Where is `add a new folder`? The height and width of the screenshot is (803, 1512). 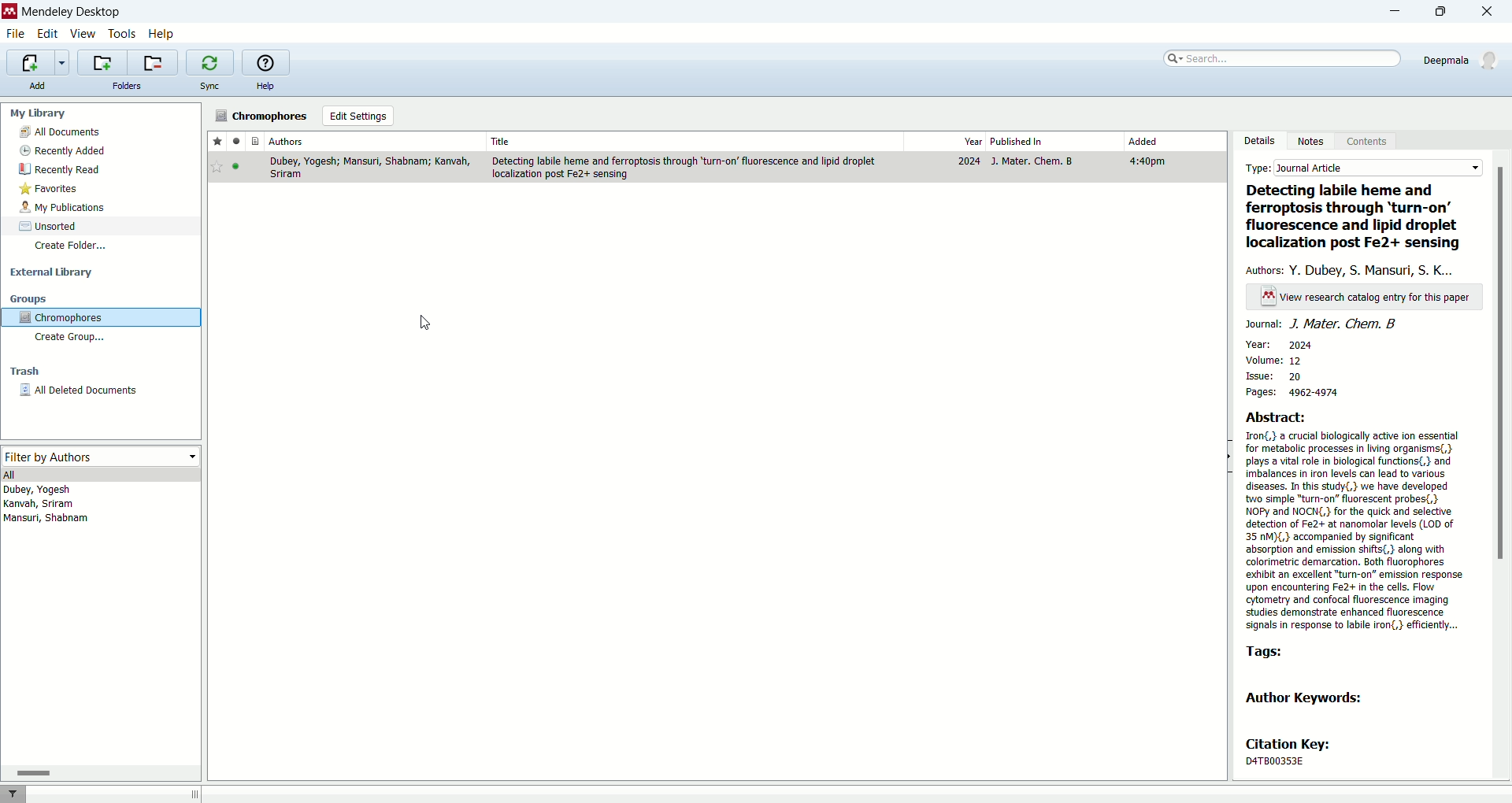 add a new folder is located at coordinates (102, 62).